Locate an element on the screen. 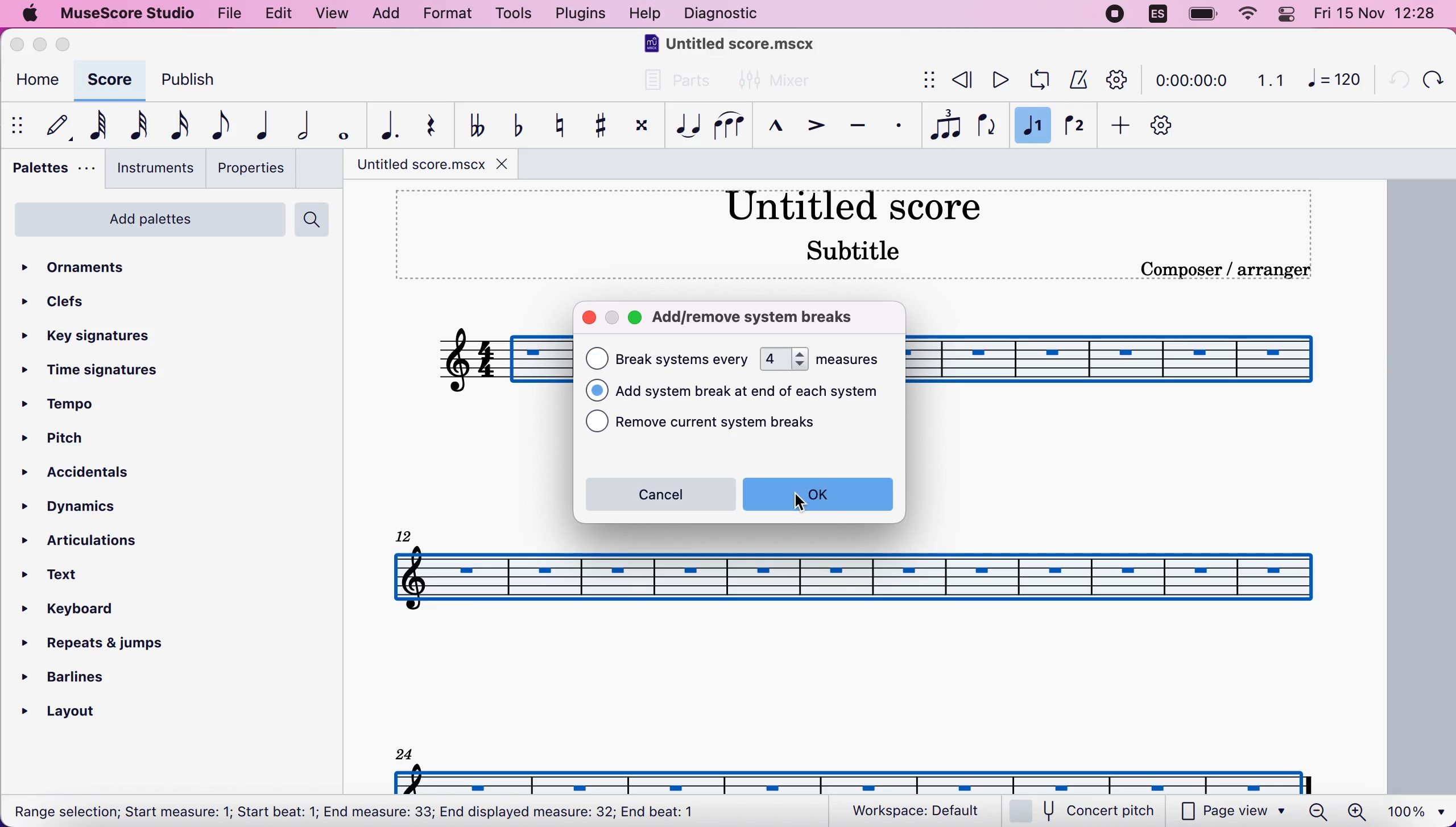 Image resolution: width=1456 pixels, height=827 pixels. quarter note is located at coordinates (258, 125).